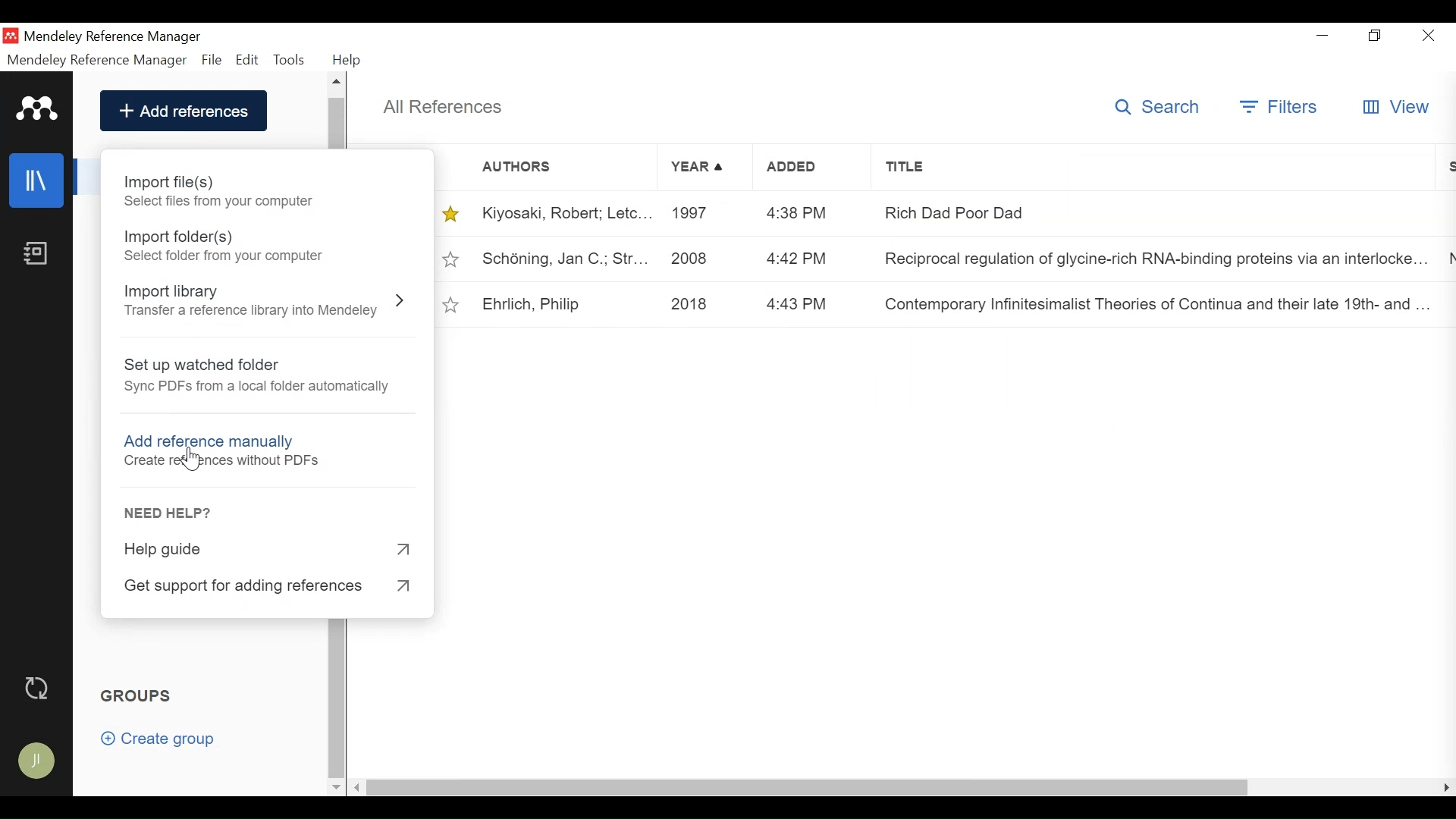 This screenshot has height=819, width=1456. Describe the element at coordinates (38, 254) in the screenshot. I see `Notebook` at that location.